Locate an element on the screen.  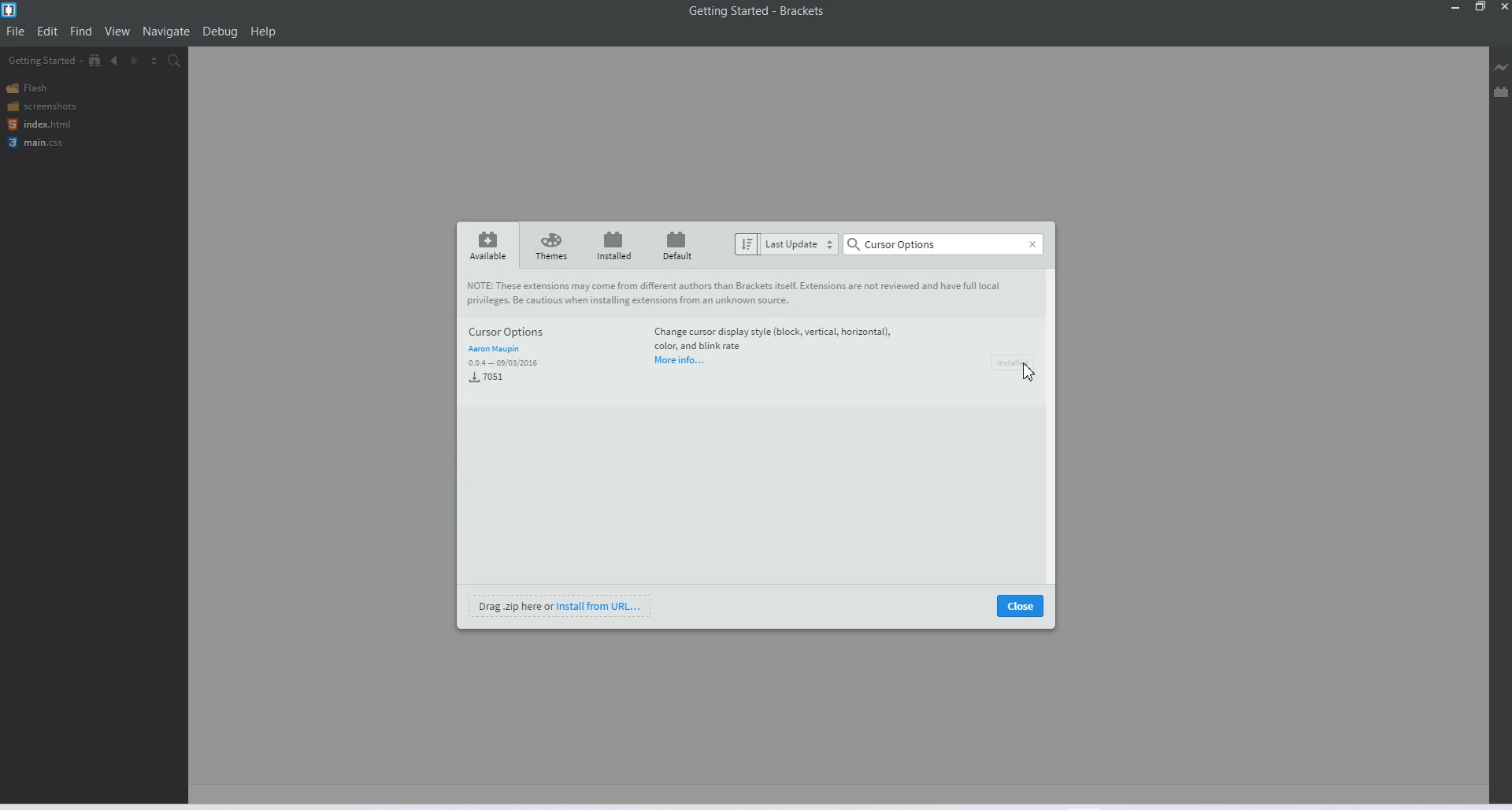
default is located at coordinates (674, 245).